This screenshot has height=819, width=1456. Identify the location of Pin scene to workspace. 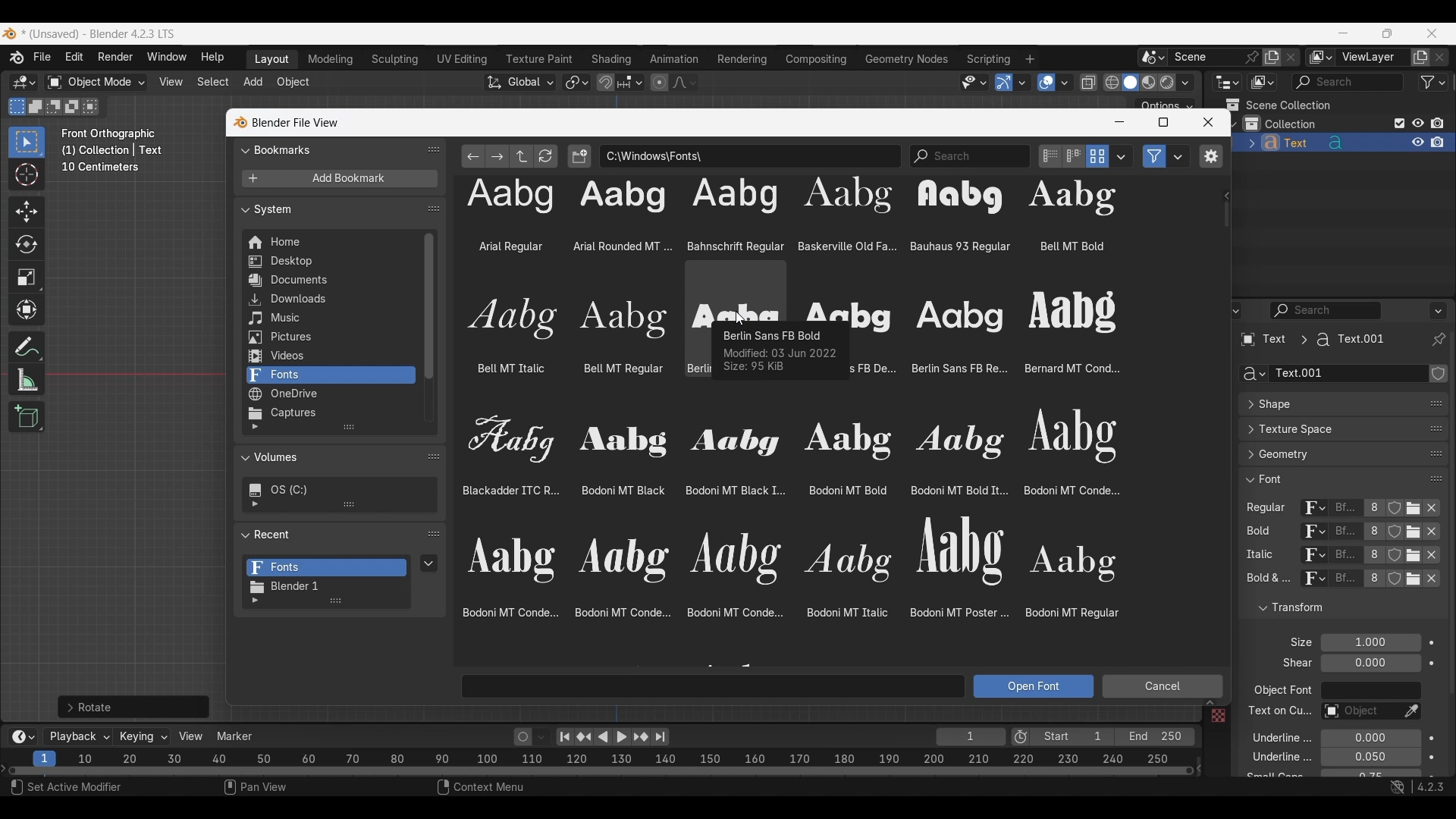
(1216, 57).